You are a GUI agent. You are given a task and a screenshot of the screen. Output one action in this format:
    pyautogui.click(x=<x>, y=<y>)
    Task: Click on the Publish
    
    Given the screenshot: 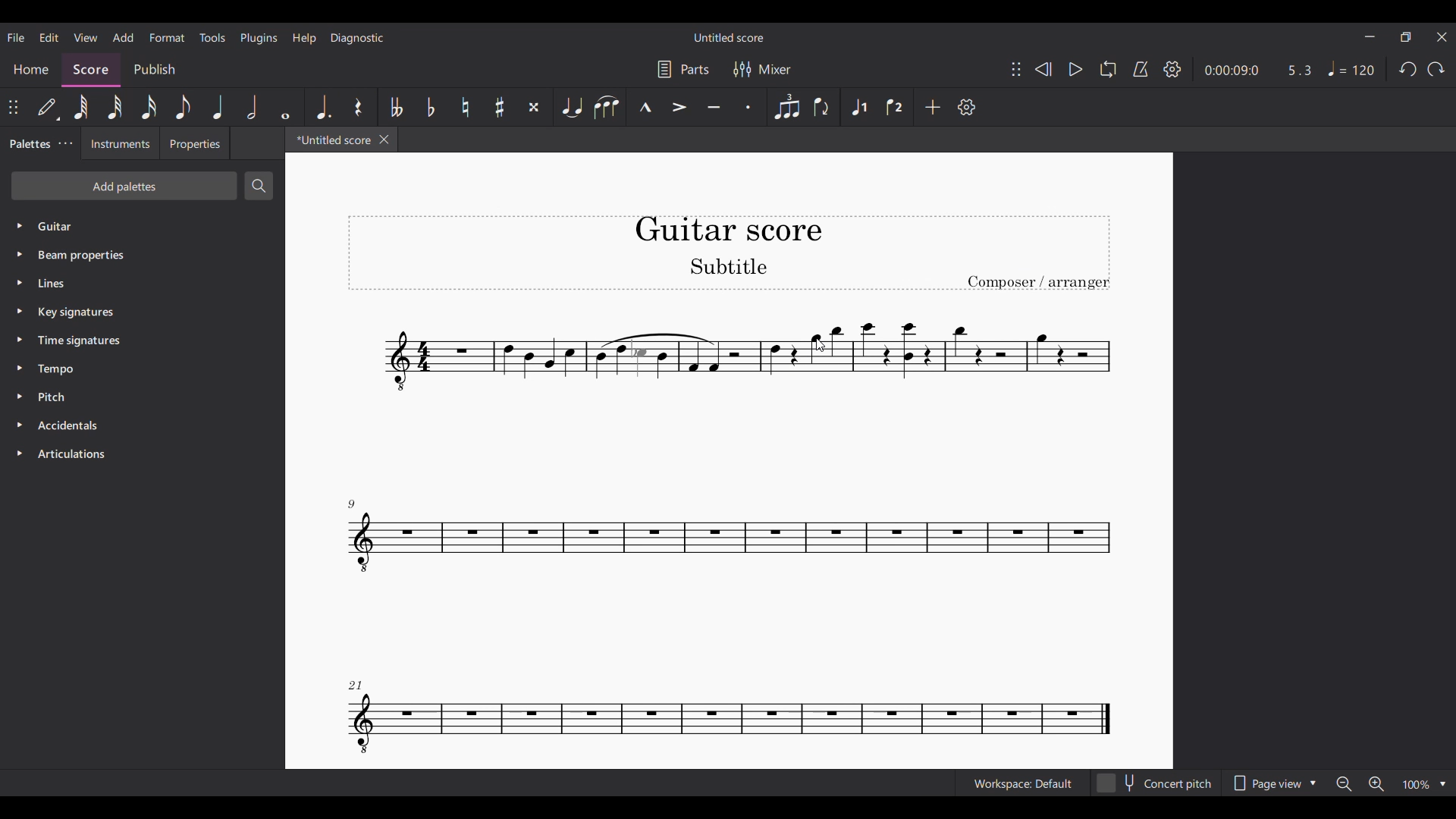 What is the action you would take?
    pyautogui.click(x=155, y=71)
    